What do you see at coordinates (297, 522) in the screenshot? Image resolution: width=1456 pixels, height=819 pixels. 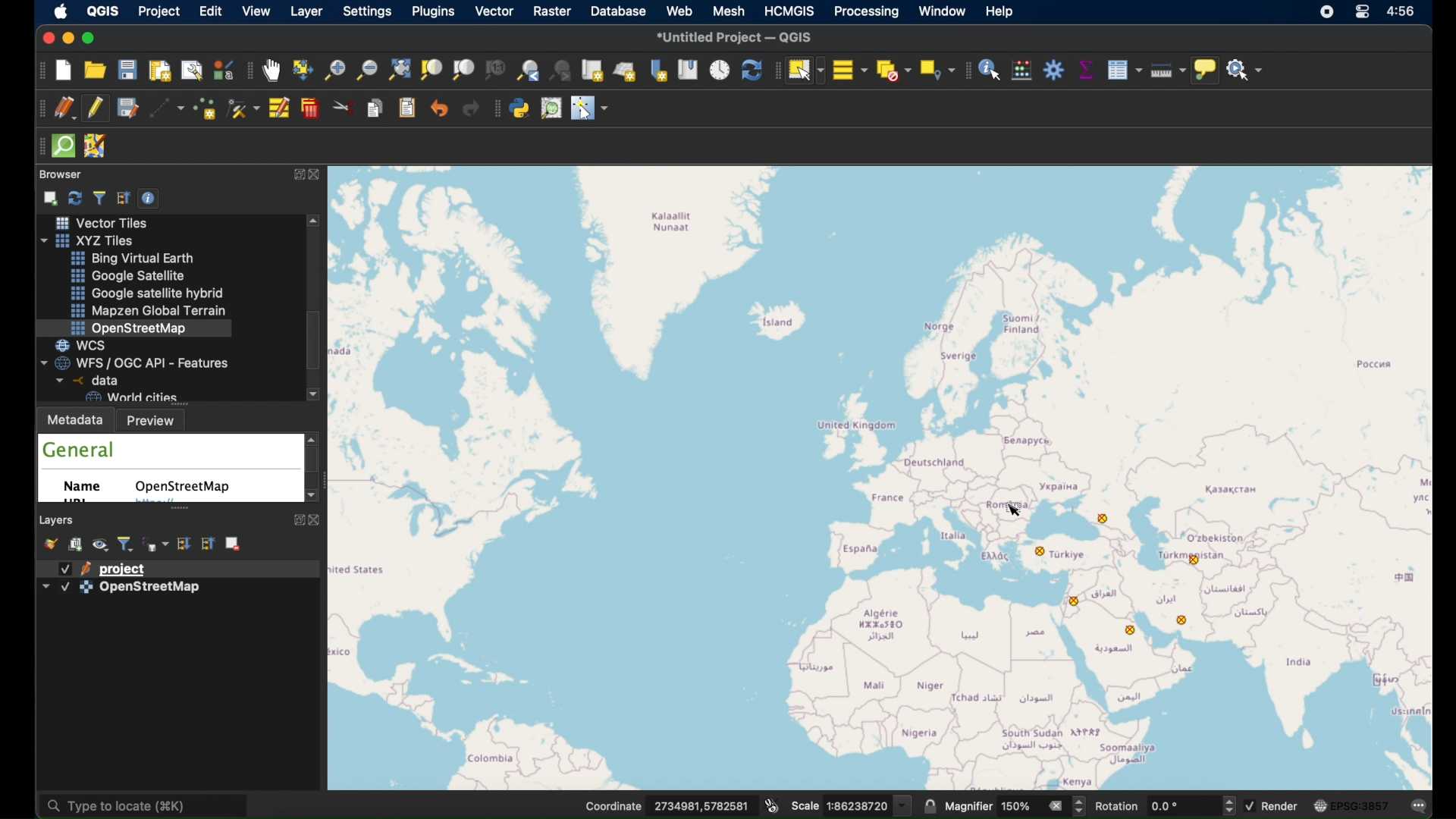 I see `expand` at bounding box center [297, 522].